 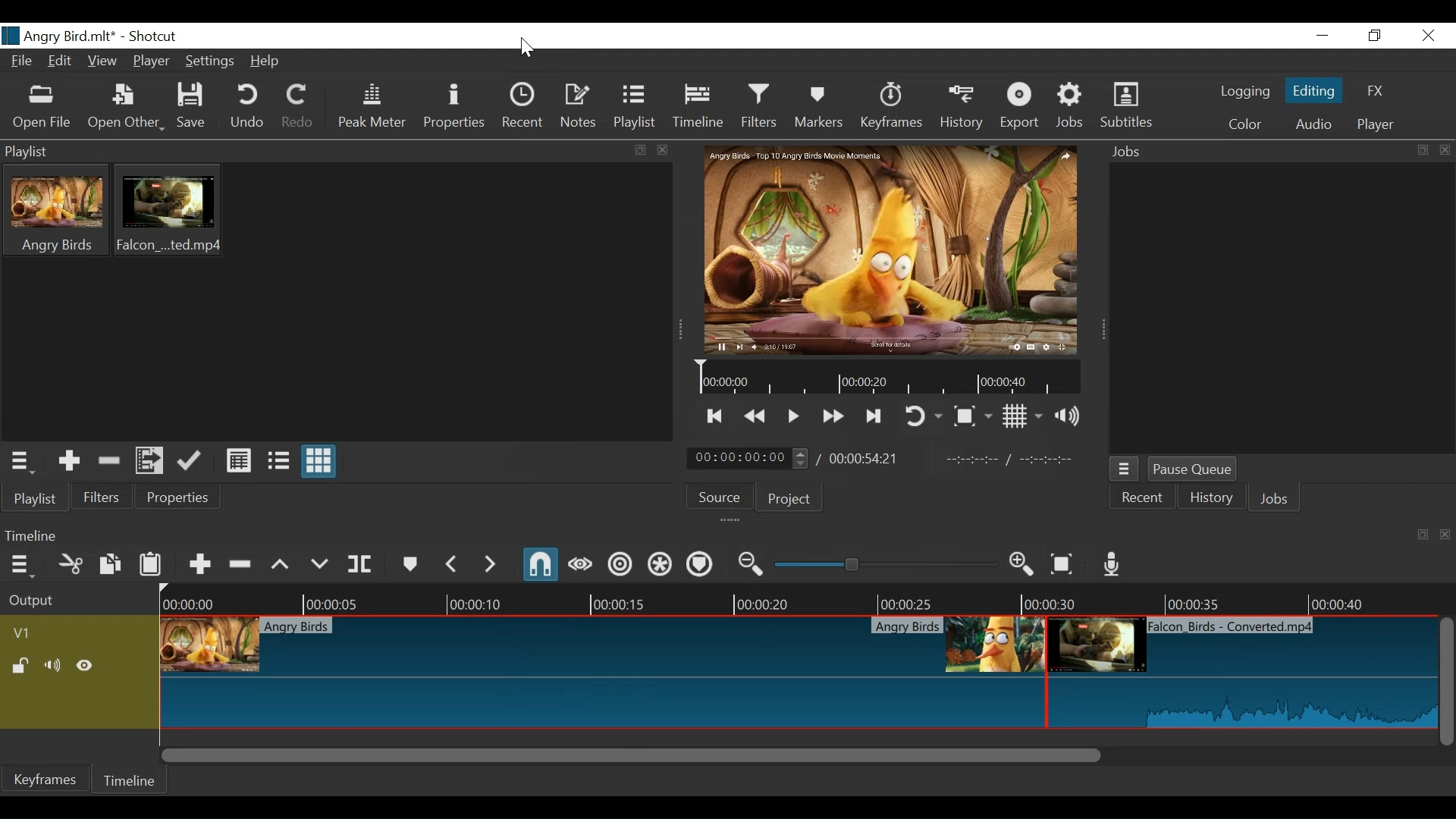 I want to click on Lift, so click(x=280, y=566).